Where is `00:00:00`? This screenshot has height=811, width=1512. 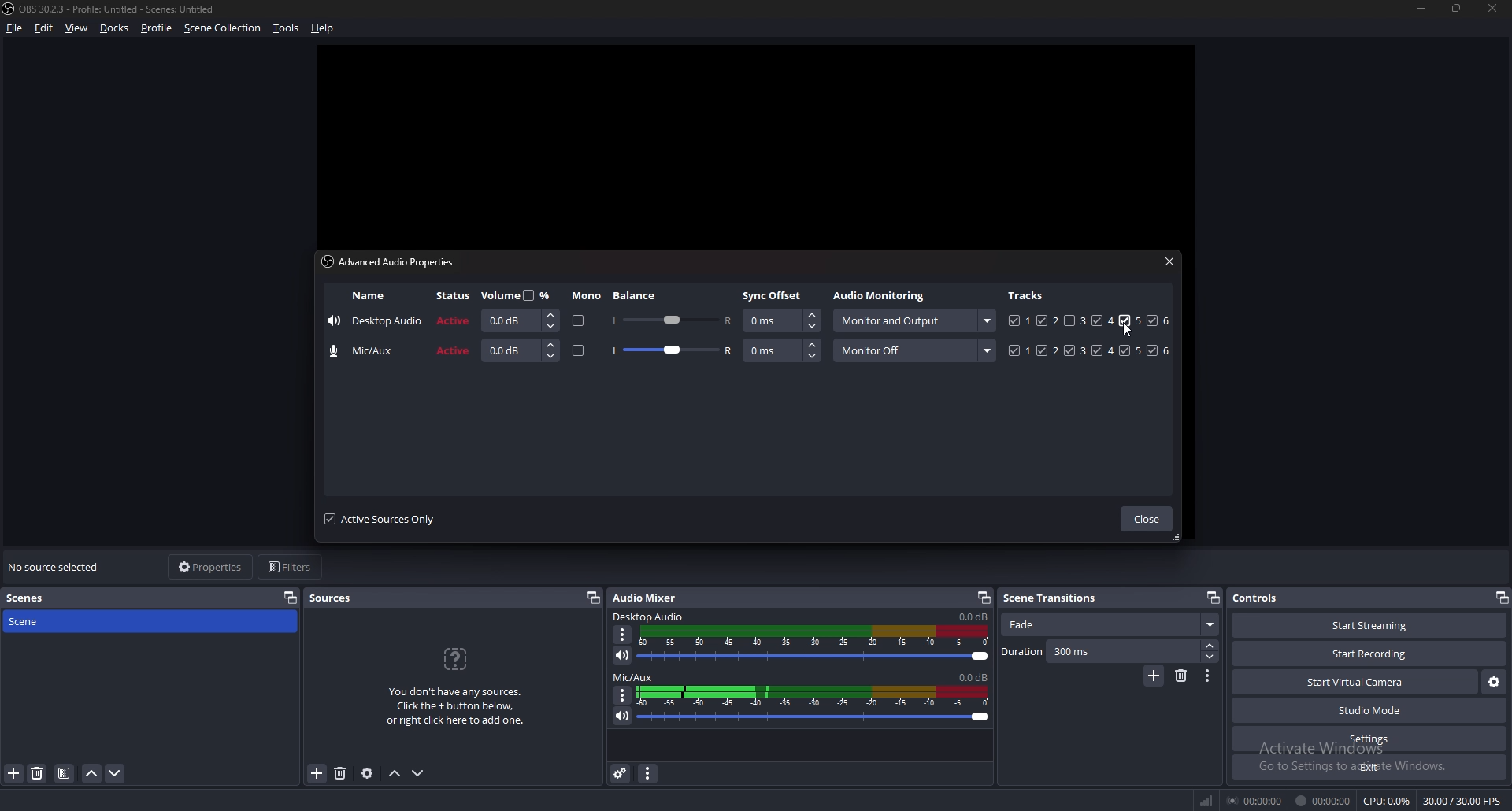
00:00:00 is located at coordinates (1257, 800).